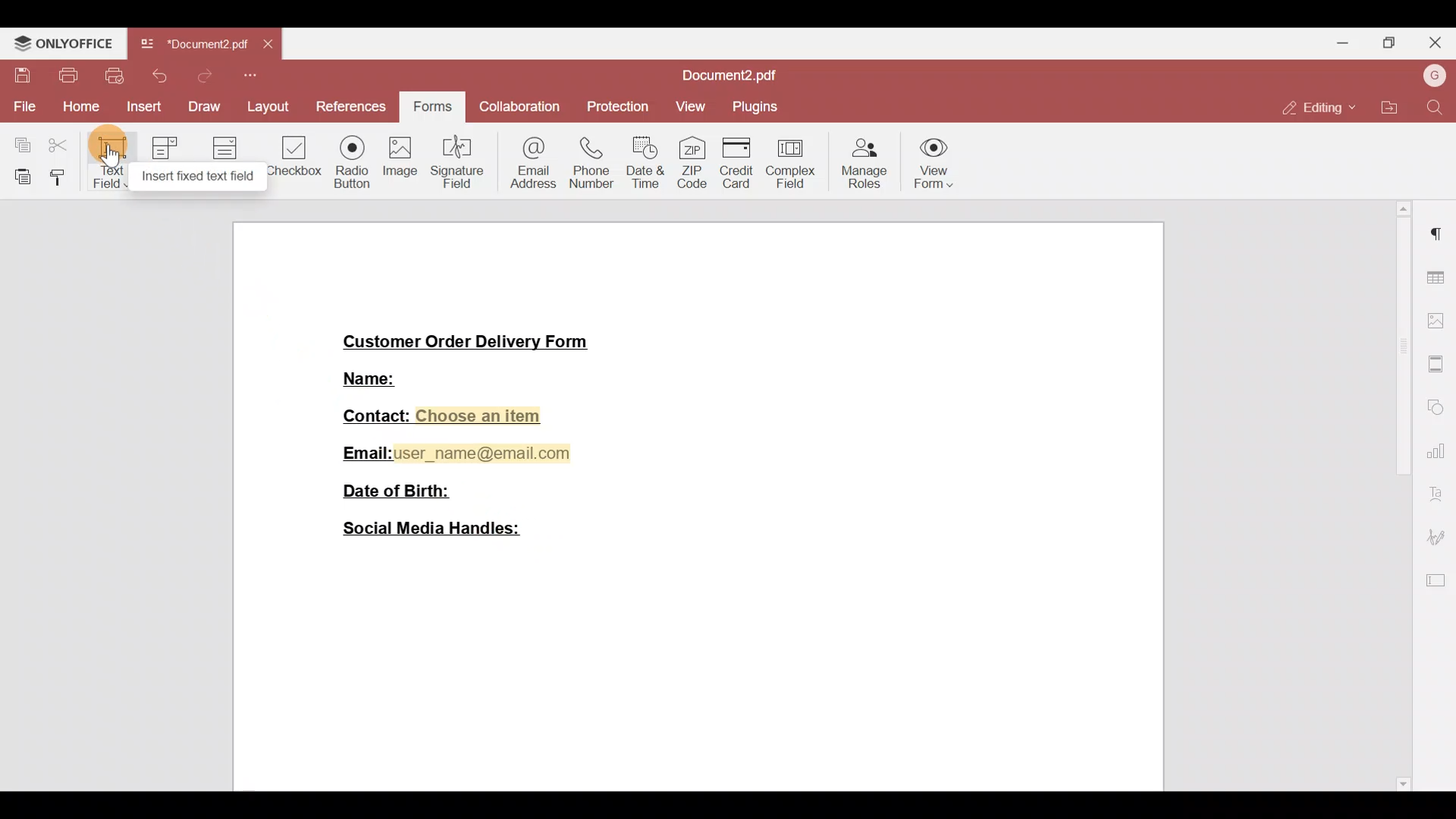 This screenshot has width=1456, height=819. What do you see at coordinates (17, 177) in the screenshot?
I see `Paste` at bounding box center [17, 177].